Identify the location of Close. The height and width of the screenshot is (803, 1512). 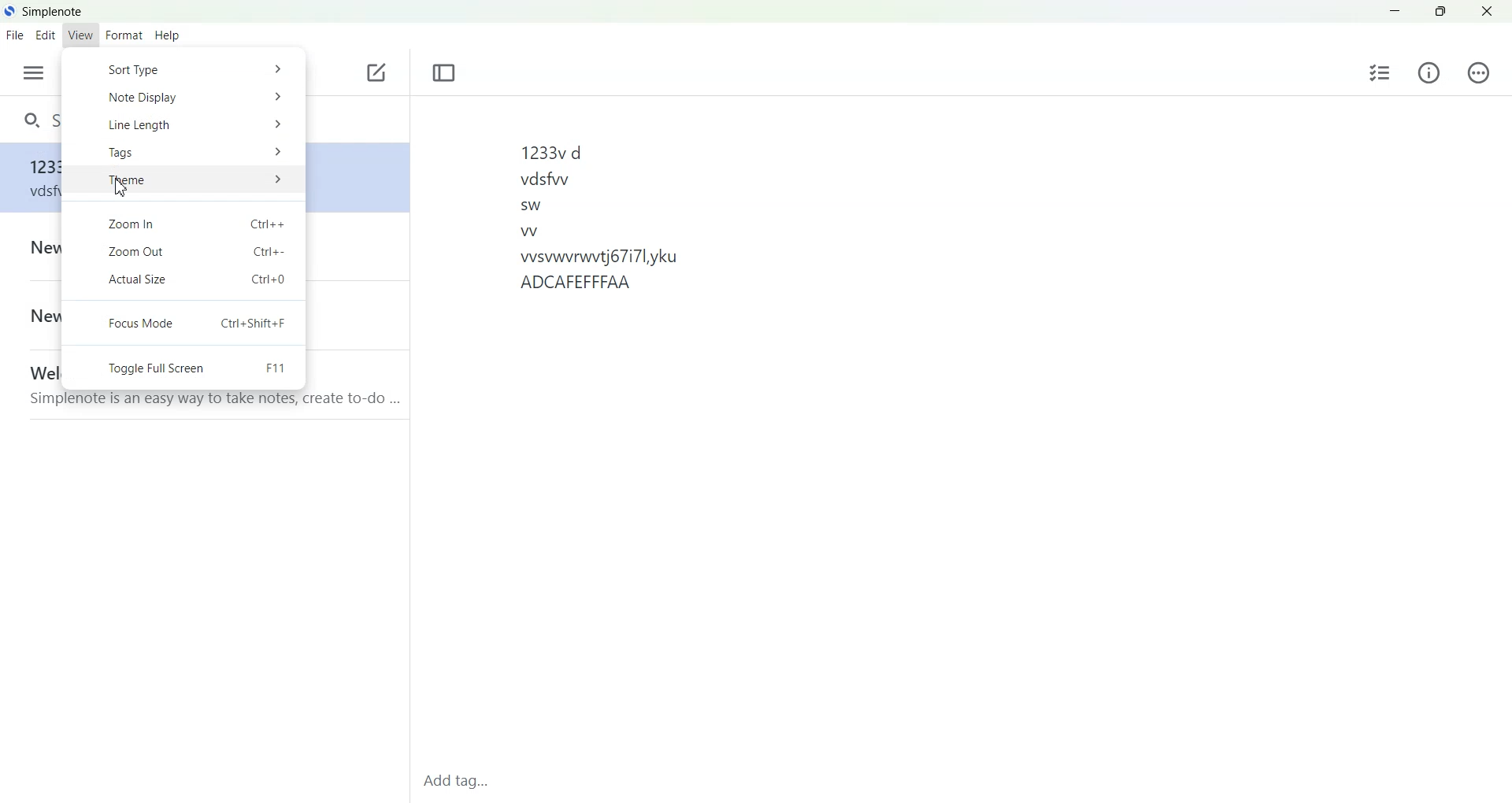
(1486, 9).